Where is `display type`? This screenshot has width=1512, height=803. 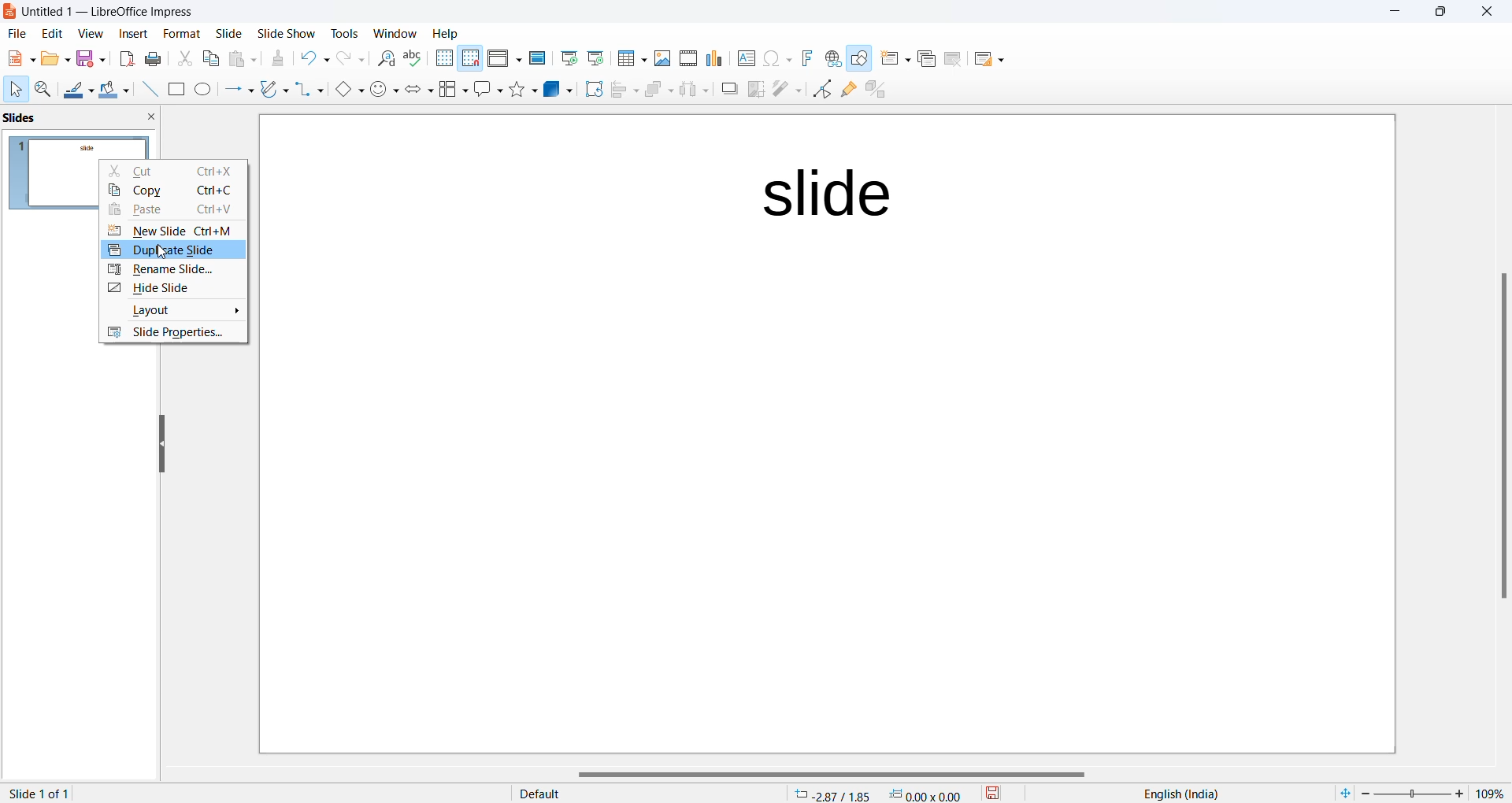
display type is located at coordinates (626, 794).